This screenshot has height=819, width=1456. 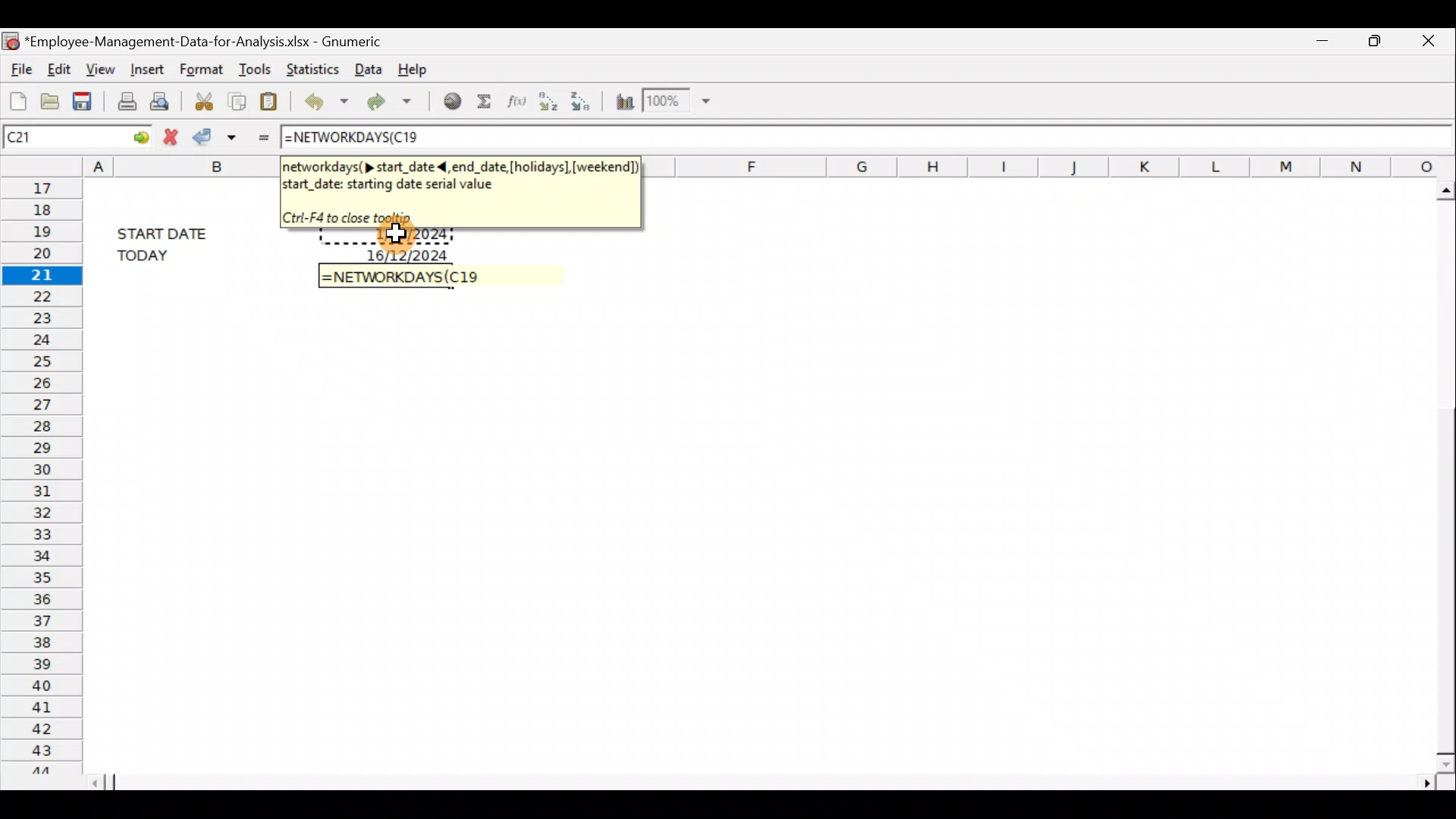 What do you see at coordinates (547, 102) in the screenshot?
I see `Sort in Ascending order` at bounding box center [547, 102].